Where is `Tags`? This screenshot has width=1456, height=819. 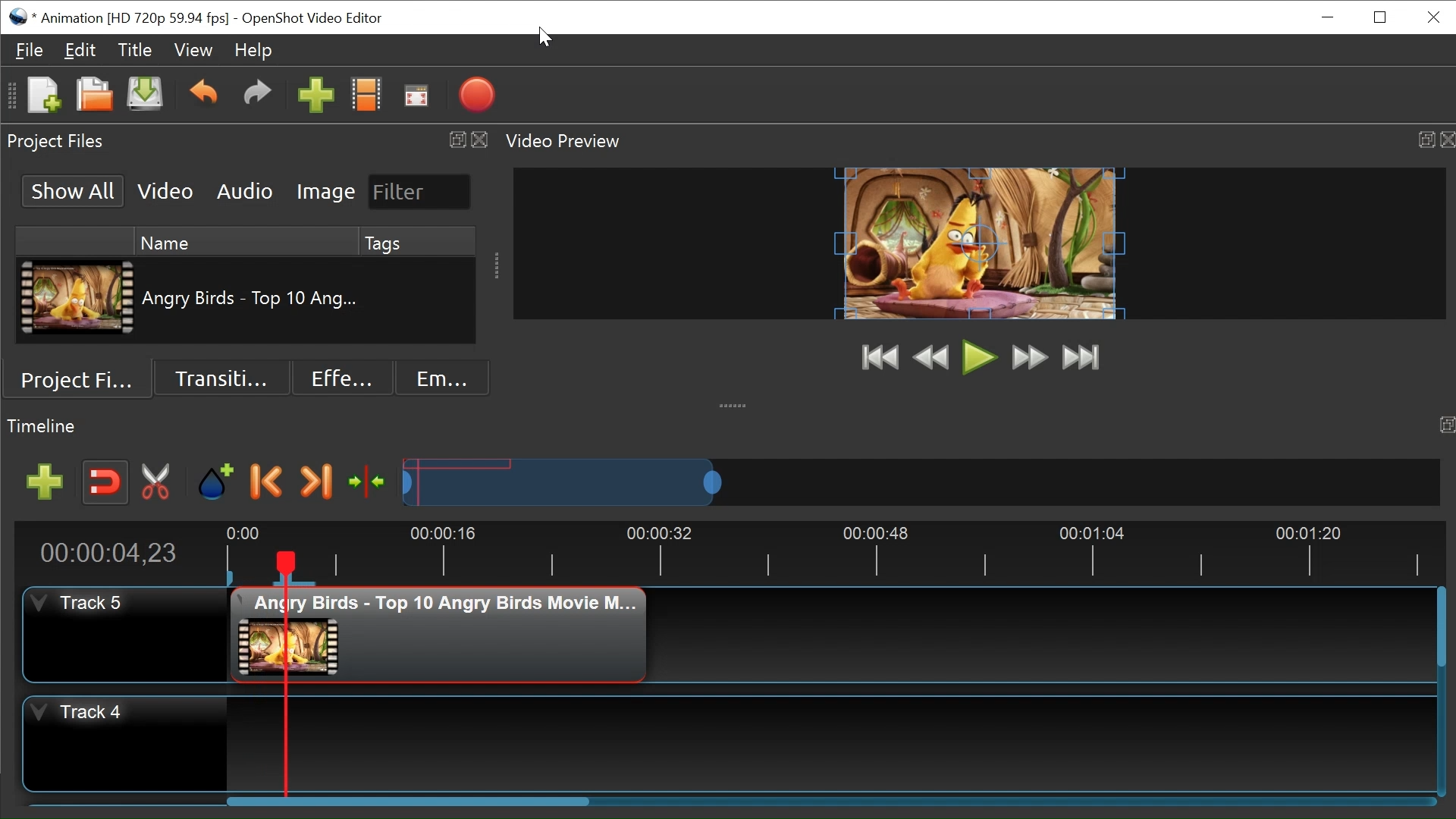
Tags is located at coordinates (418, 241).